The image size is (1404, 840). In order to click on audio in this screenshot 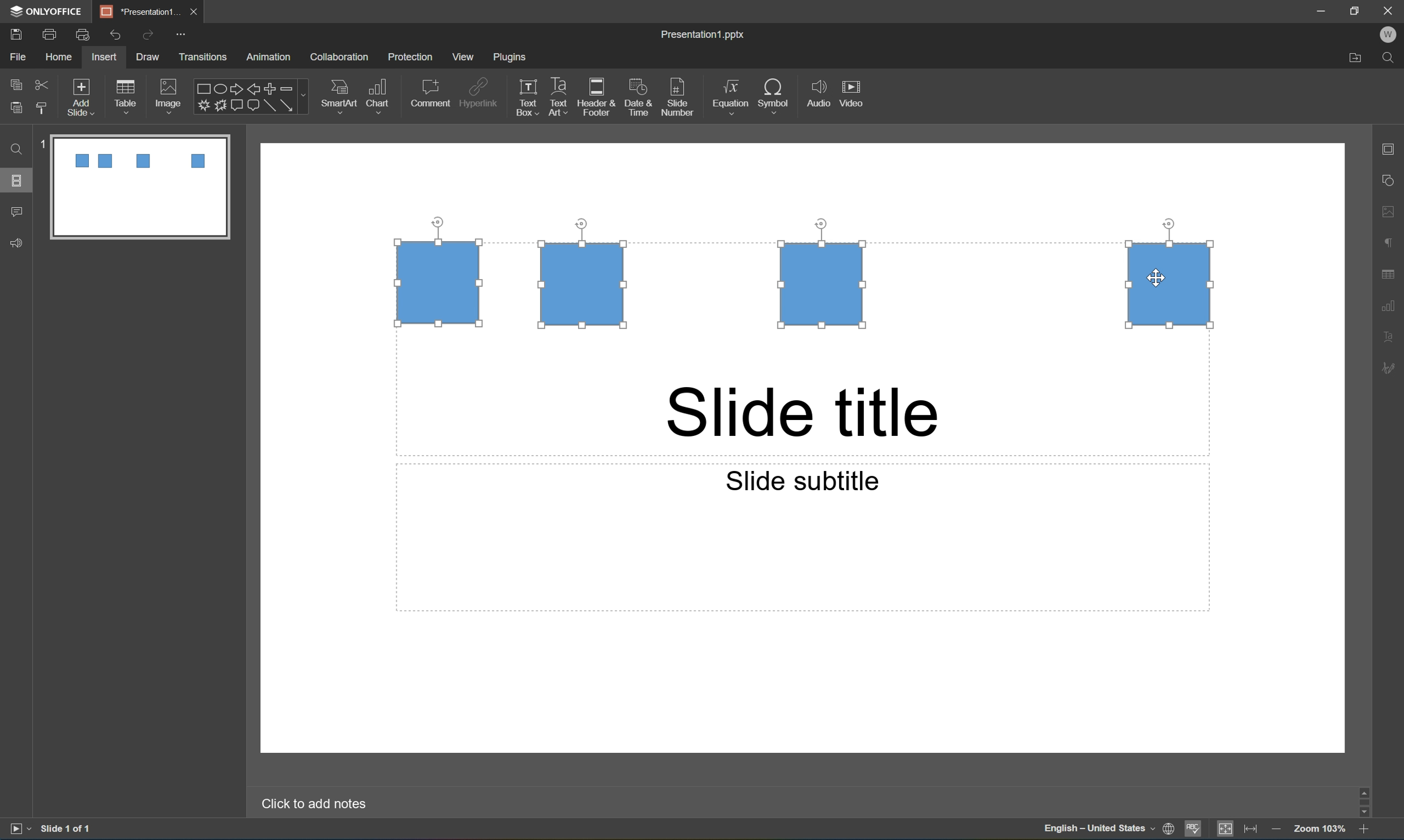, I will do `click(816, 96)`.